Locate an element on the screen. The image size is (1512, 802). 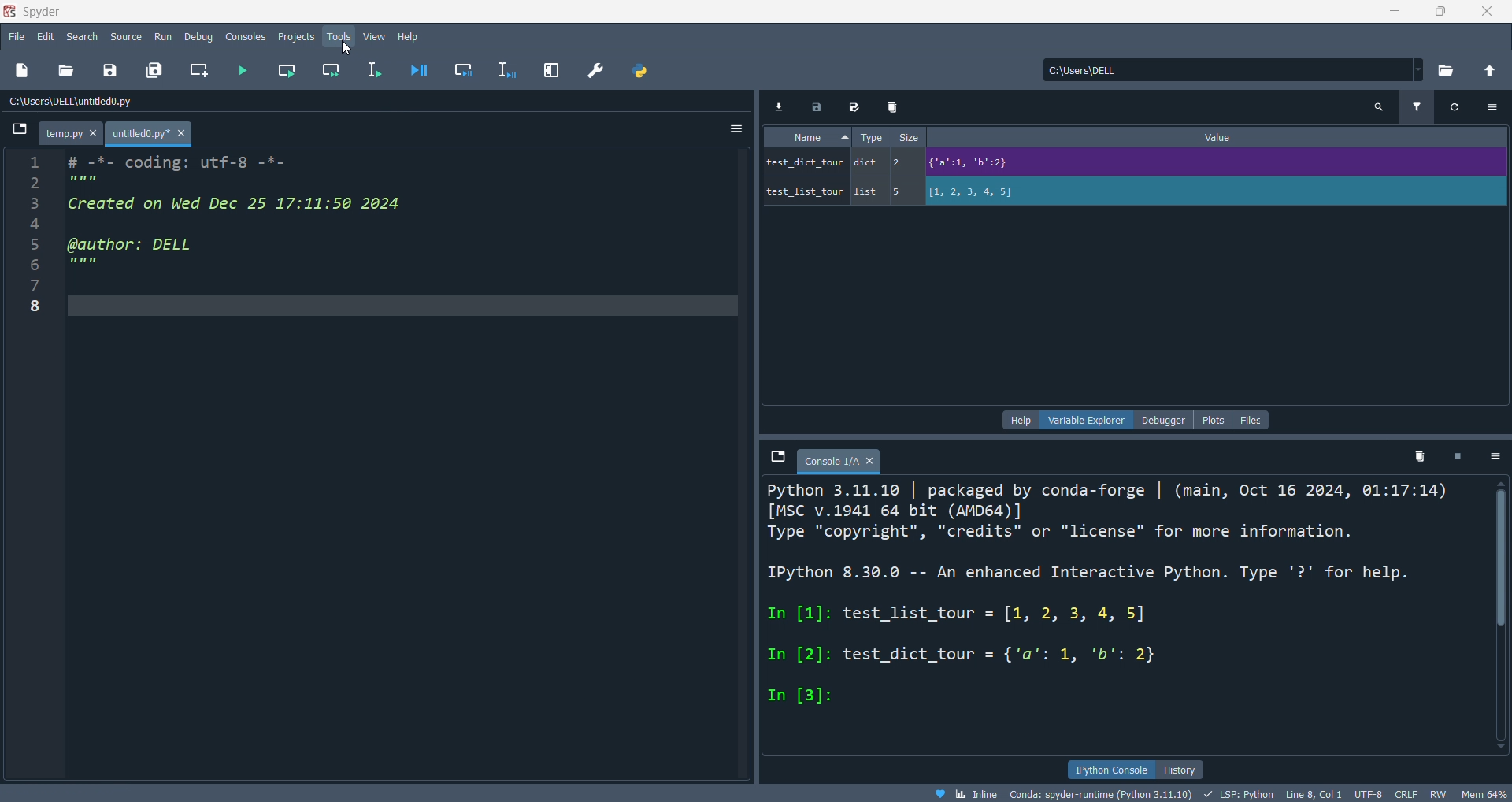
history is located at coordinates (1185, 769).